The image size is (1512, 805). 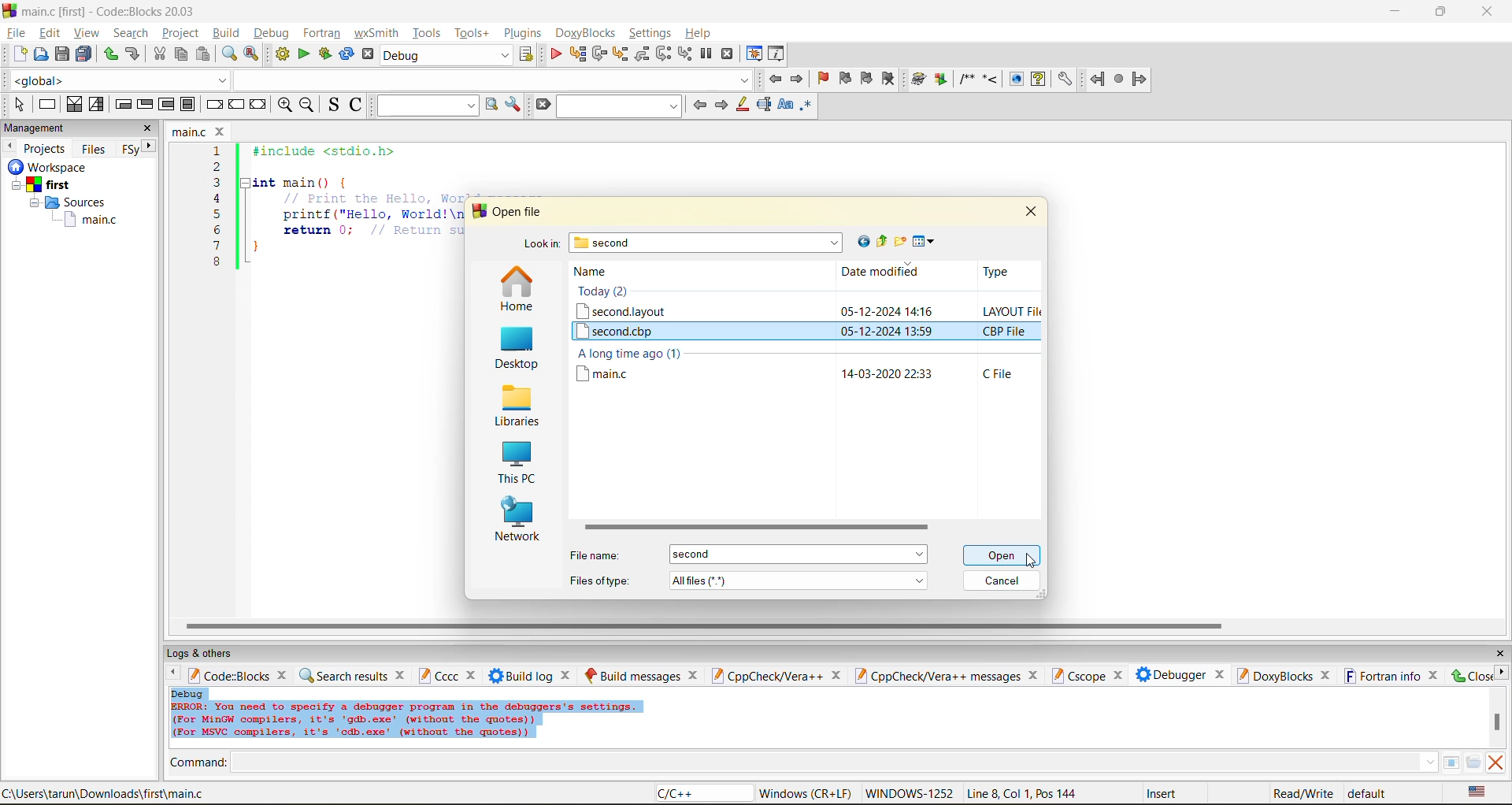 I want to click on #include <stdio.h>, so click(x=334, y=151).